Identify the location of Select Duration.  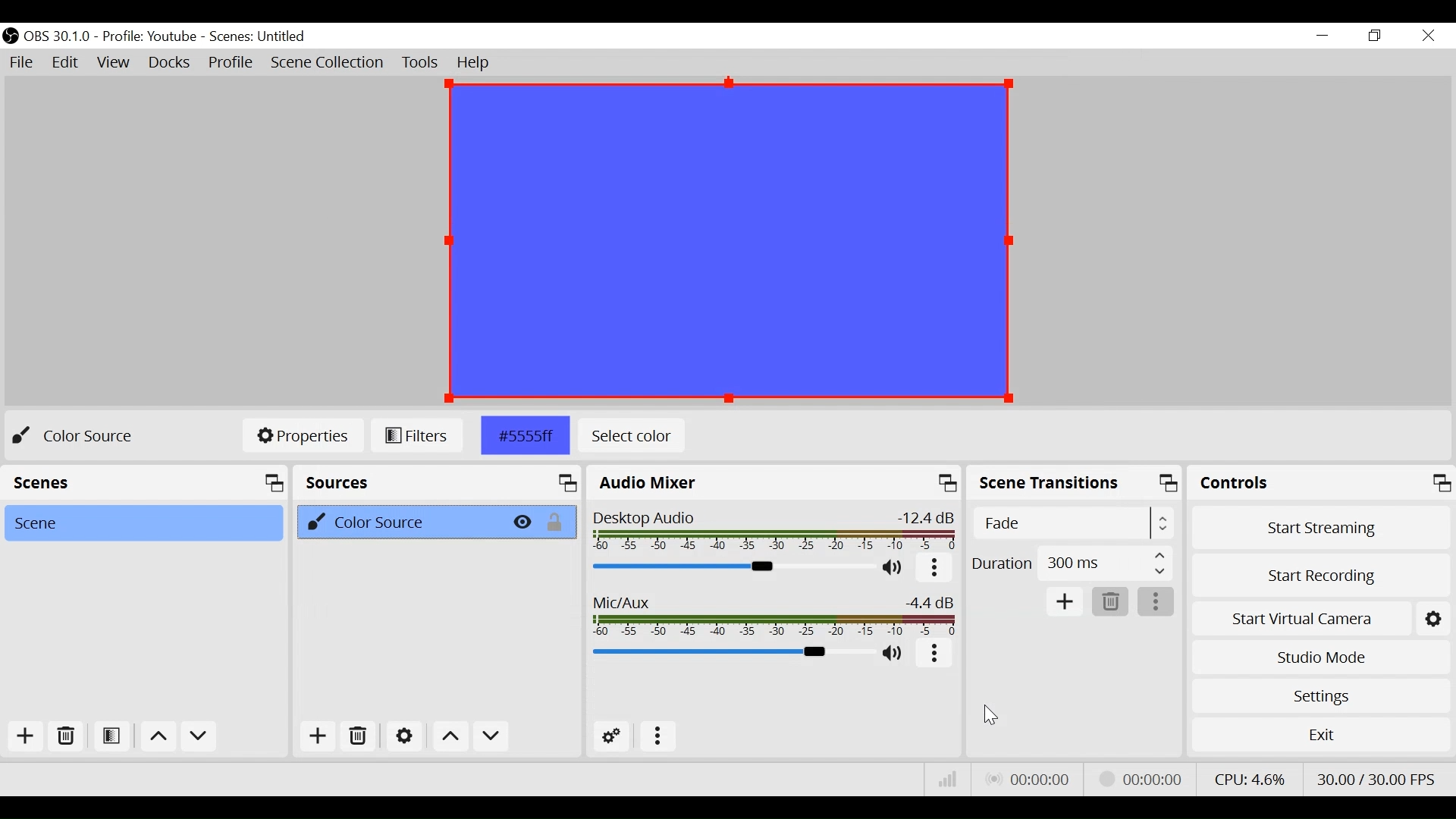
(1072, 561).